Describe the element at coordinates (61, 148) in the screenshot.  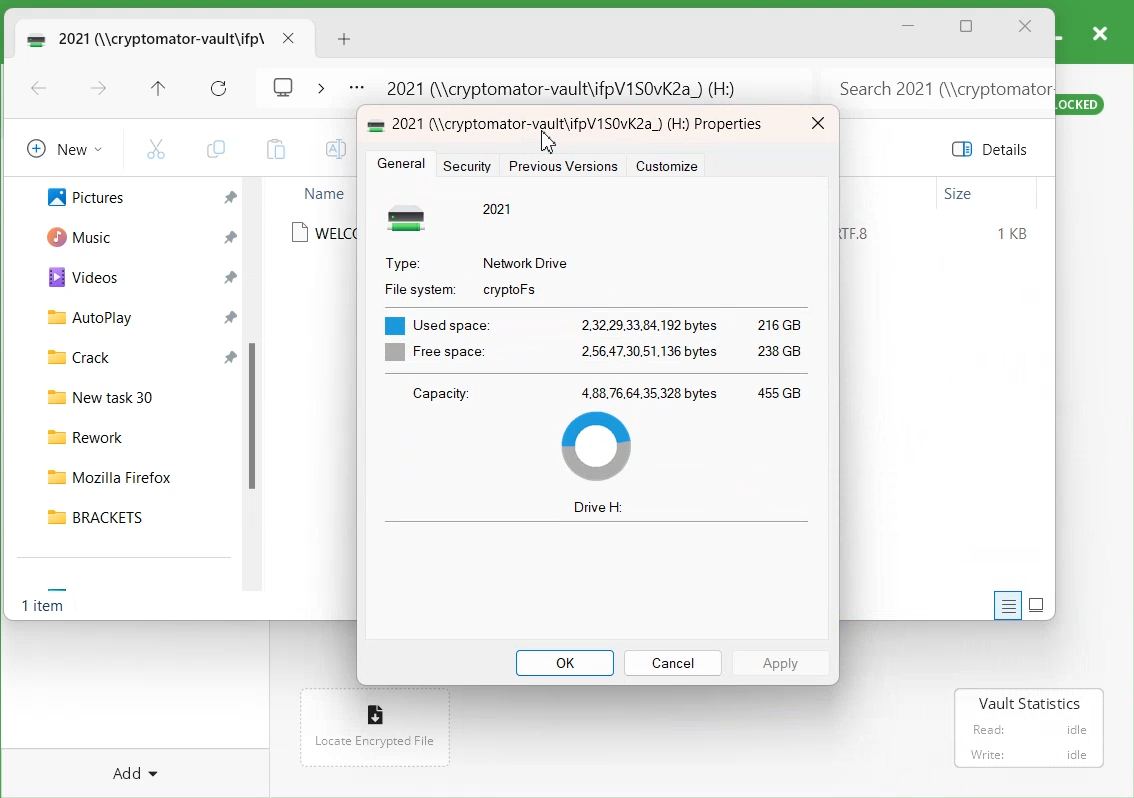
I see `New` at that location.